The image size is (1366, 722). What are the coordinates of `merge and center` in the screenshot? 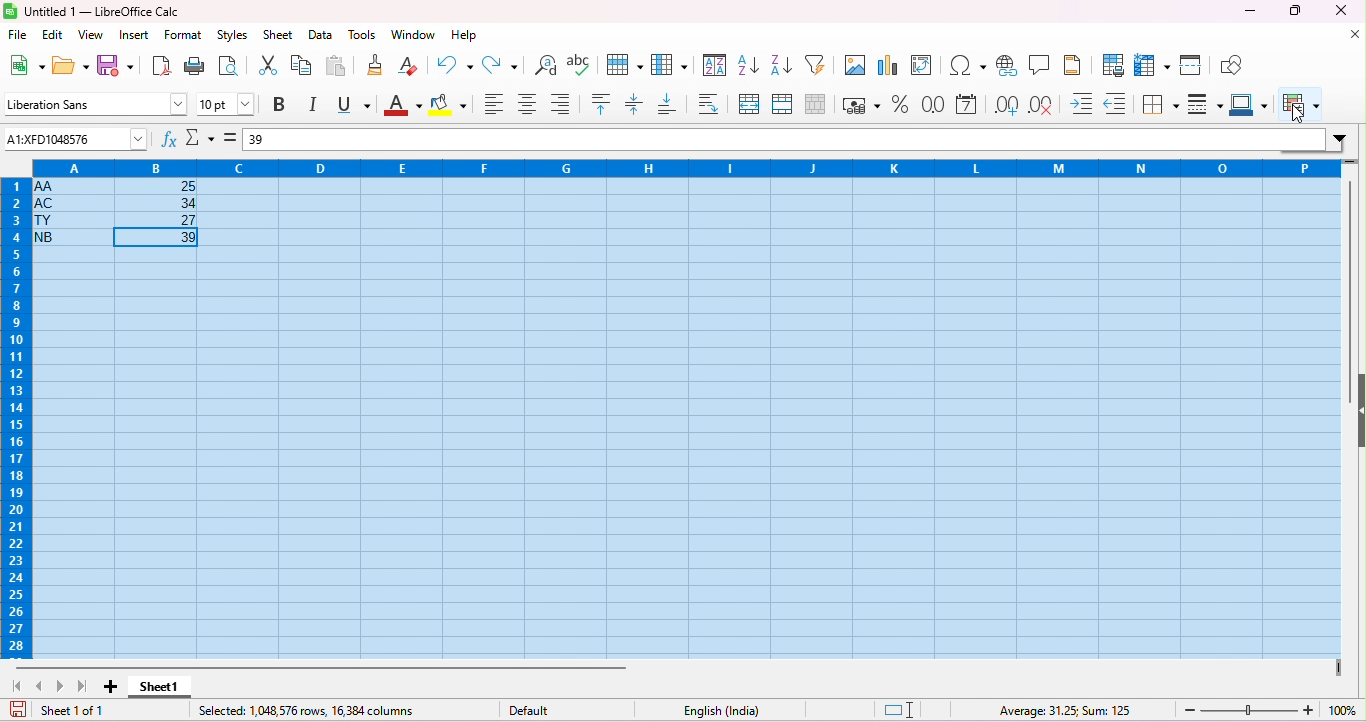 It's located at (750, 105).